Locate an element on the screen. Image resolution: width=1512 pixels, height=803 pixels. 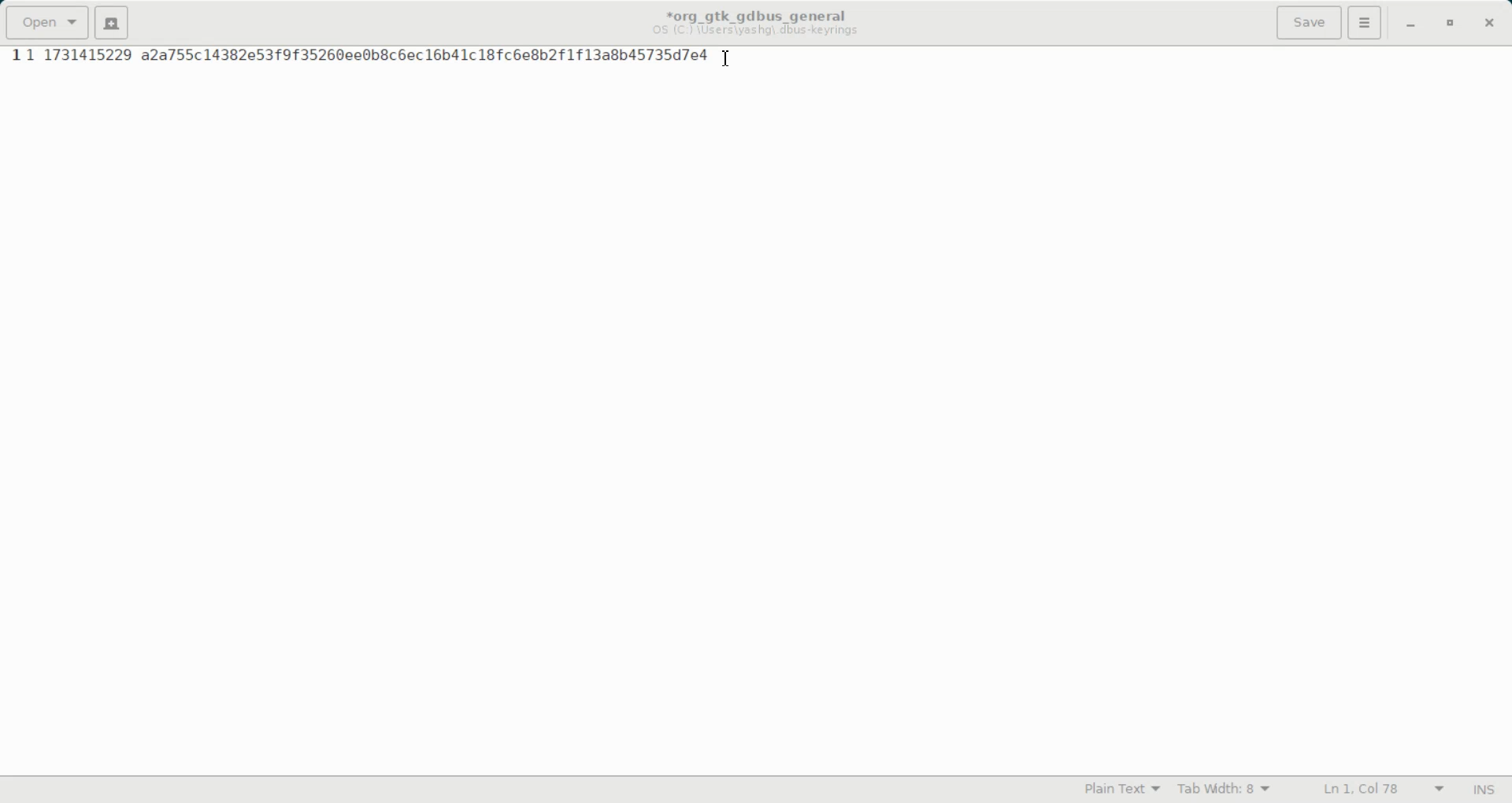
Plain Text is located at coordinates (1122, 790).